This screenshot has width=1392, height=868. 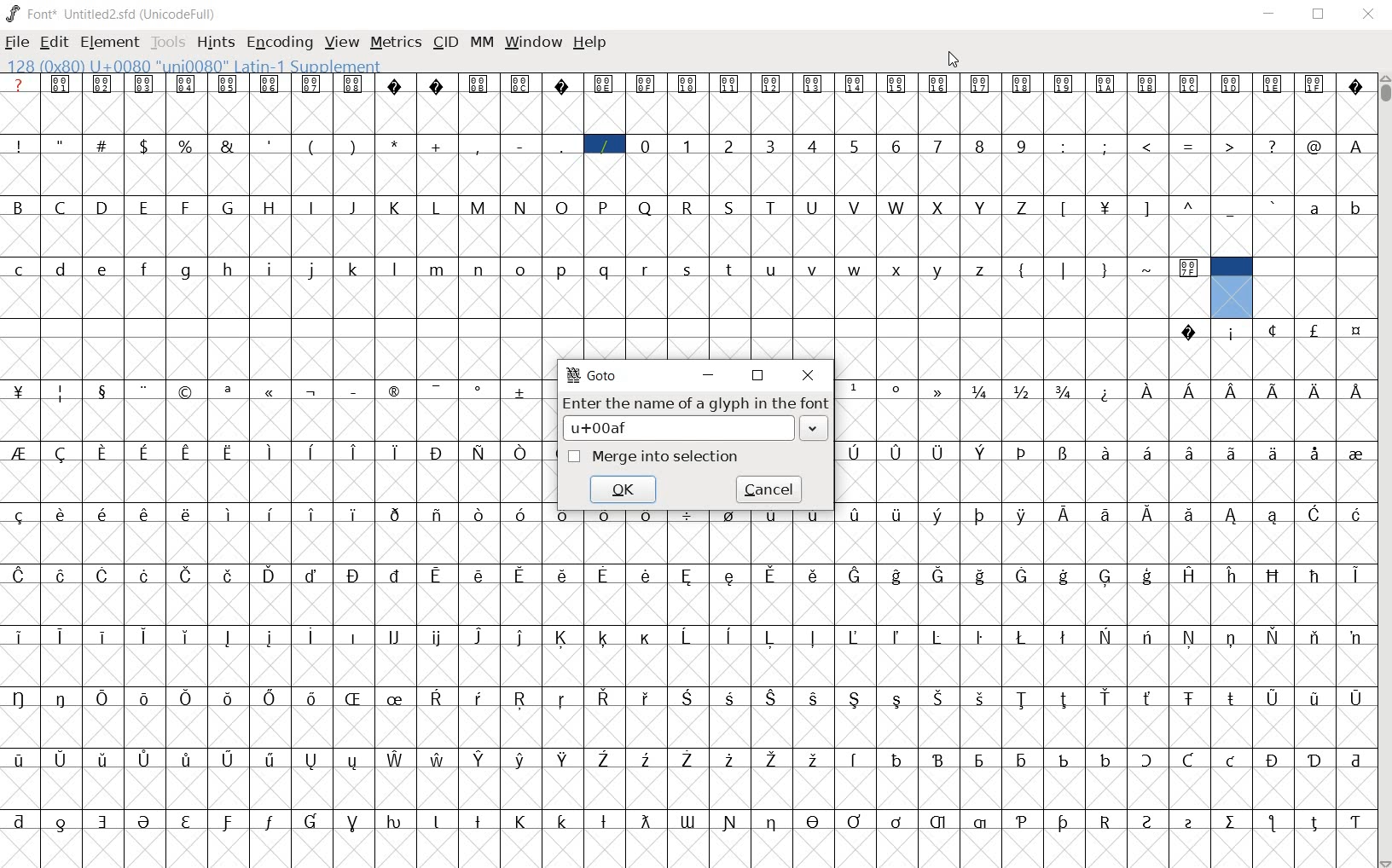 I want to click on Symbol, so click(x=105, y=819).